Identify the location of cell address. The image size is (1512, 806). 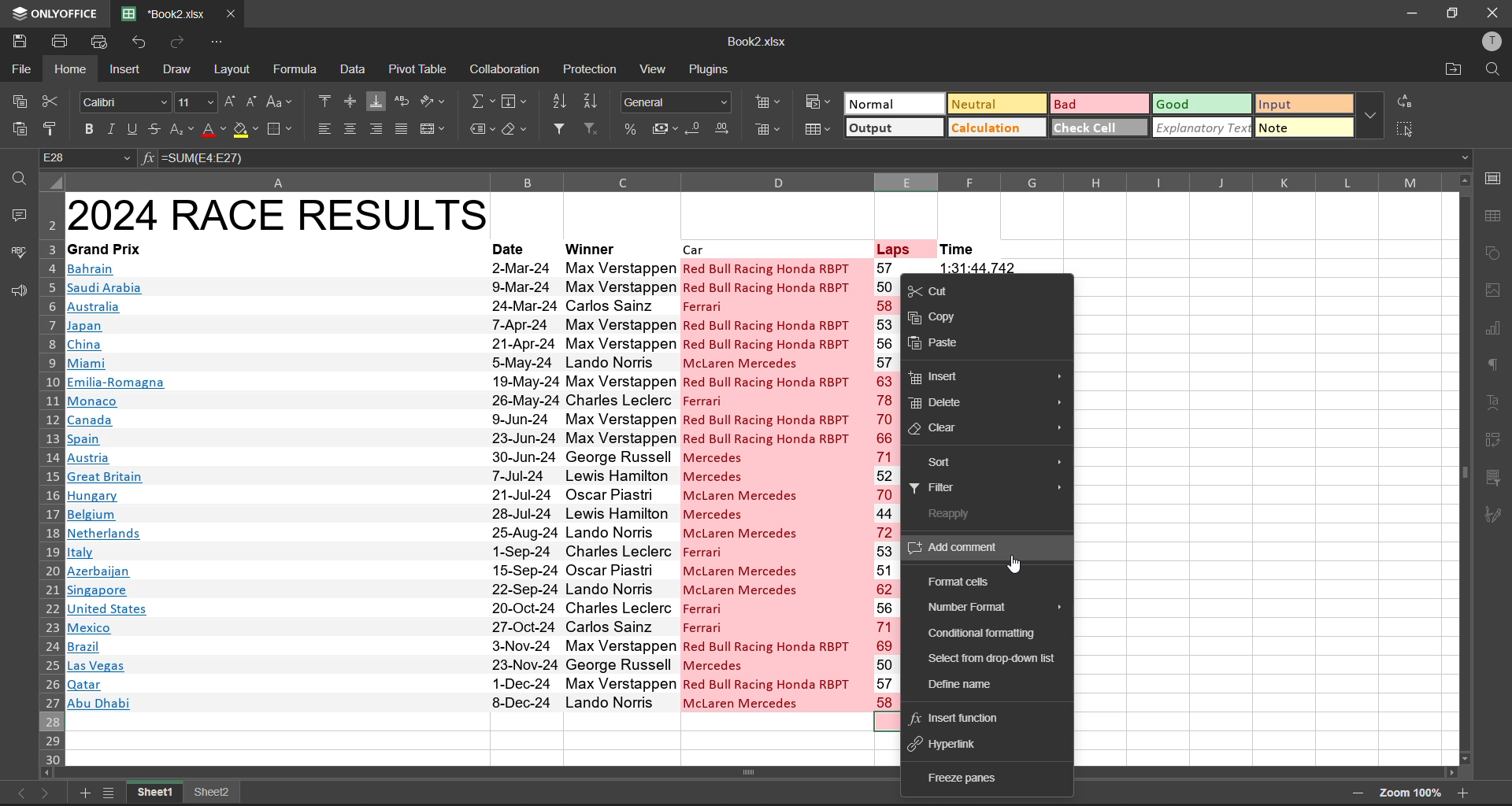
(86, 157).